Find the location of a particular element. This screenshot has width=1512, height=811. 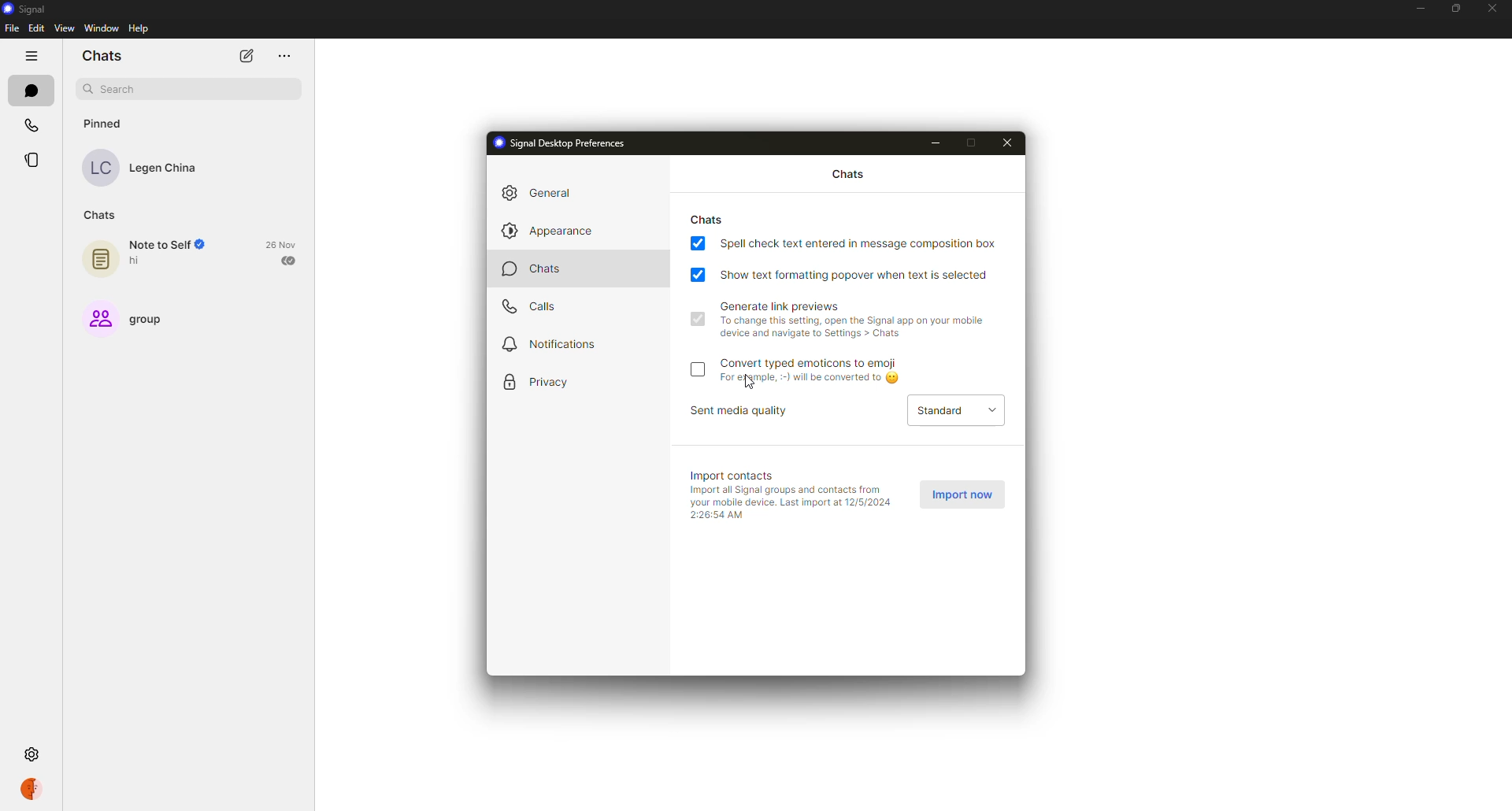

minimize is located at coordinates (936, 143).